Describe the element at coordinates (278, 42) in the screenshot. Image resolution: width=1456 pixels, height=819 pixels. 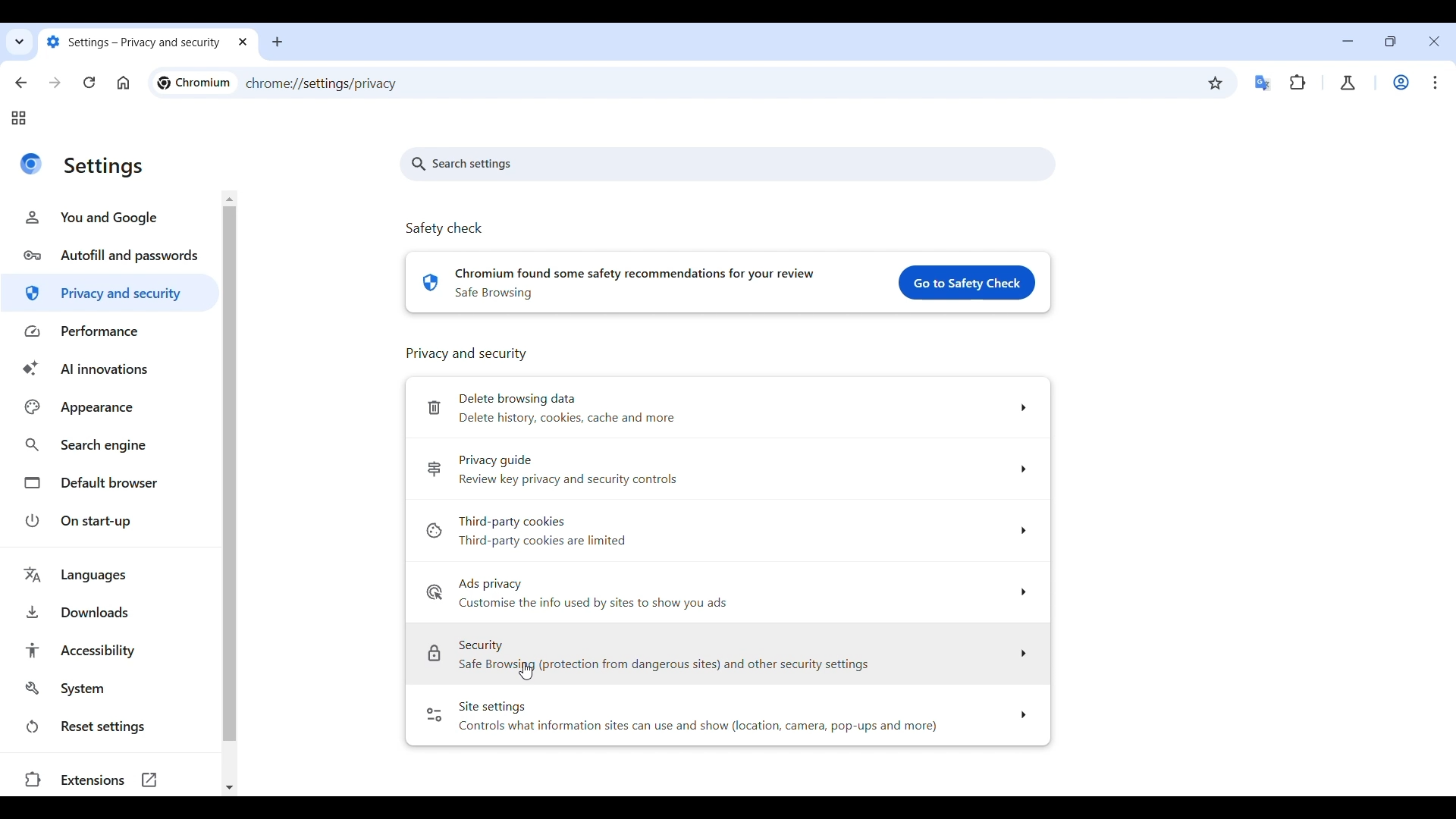
I see `Add new tab` at that location.